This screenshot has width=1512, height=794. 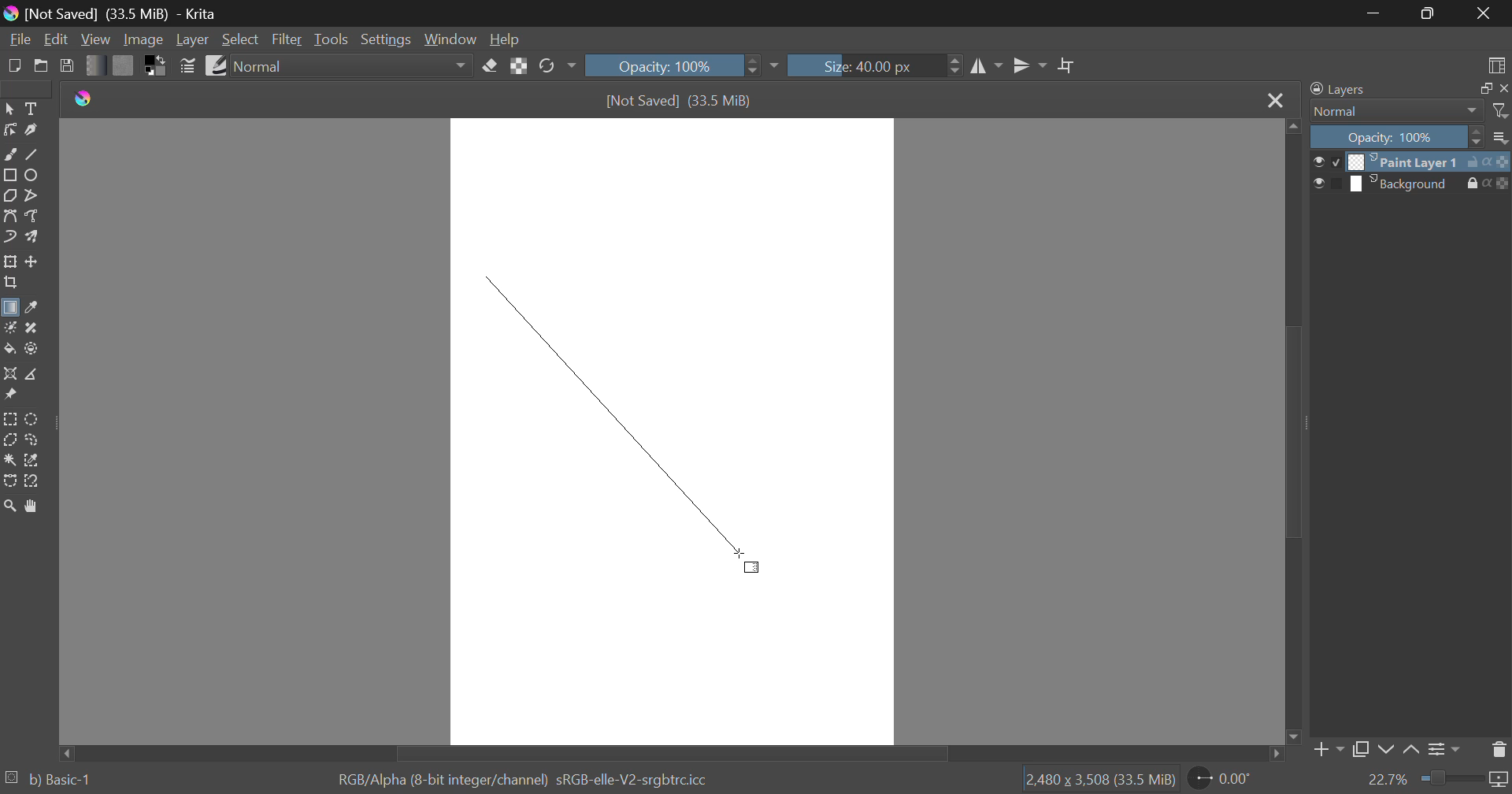 What do you see at coordinates (9, 130) in the screenshot?
I see `Edit Shapes` at bounding box center [9, 130].